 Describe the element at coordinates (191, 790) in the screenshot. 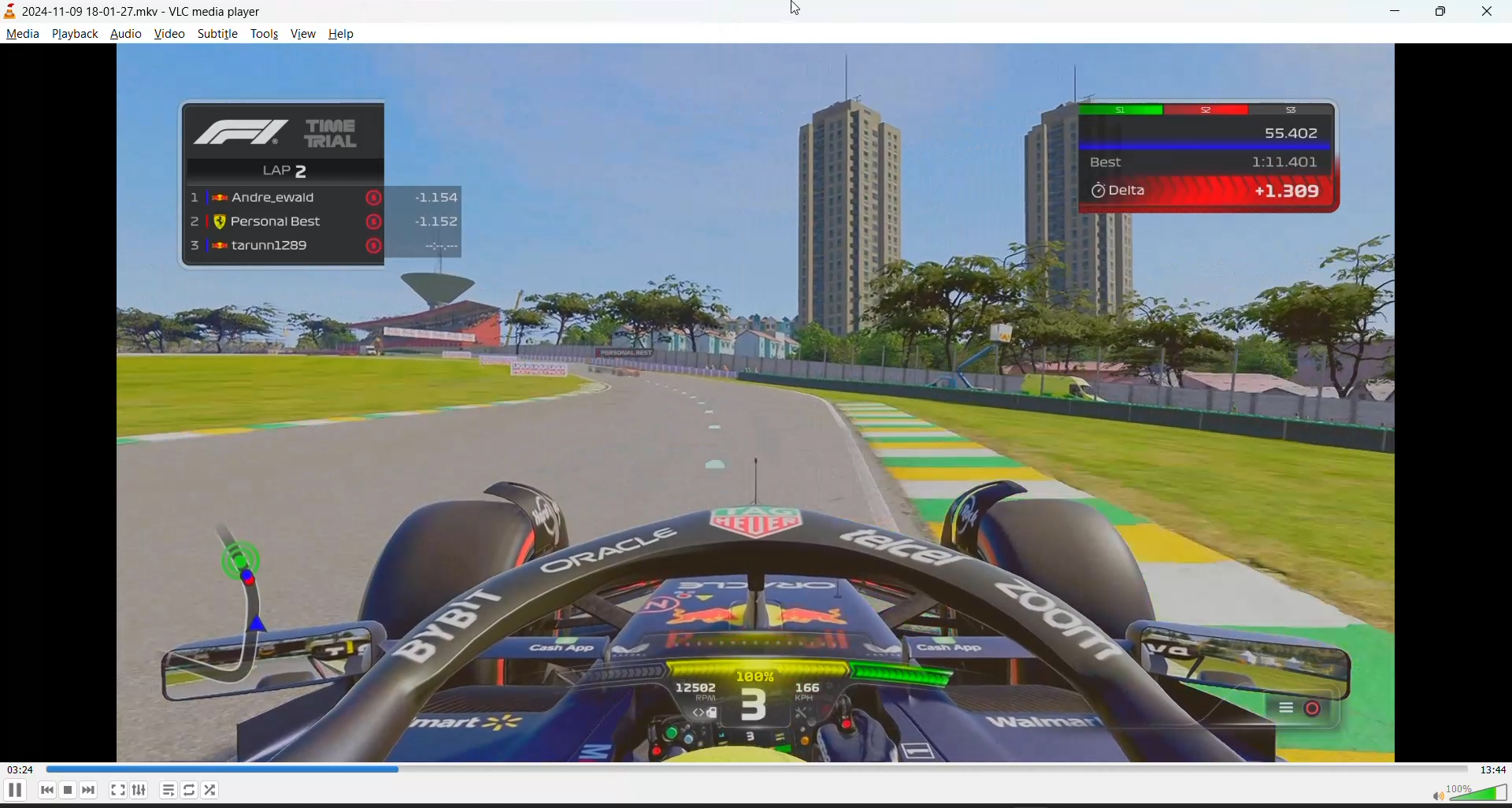

I see `random` at that location.